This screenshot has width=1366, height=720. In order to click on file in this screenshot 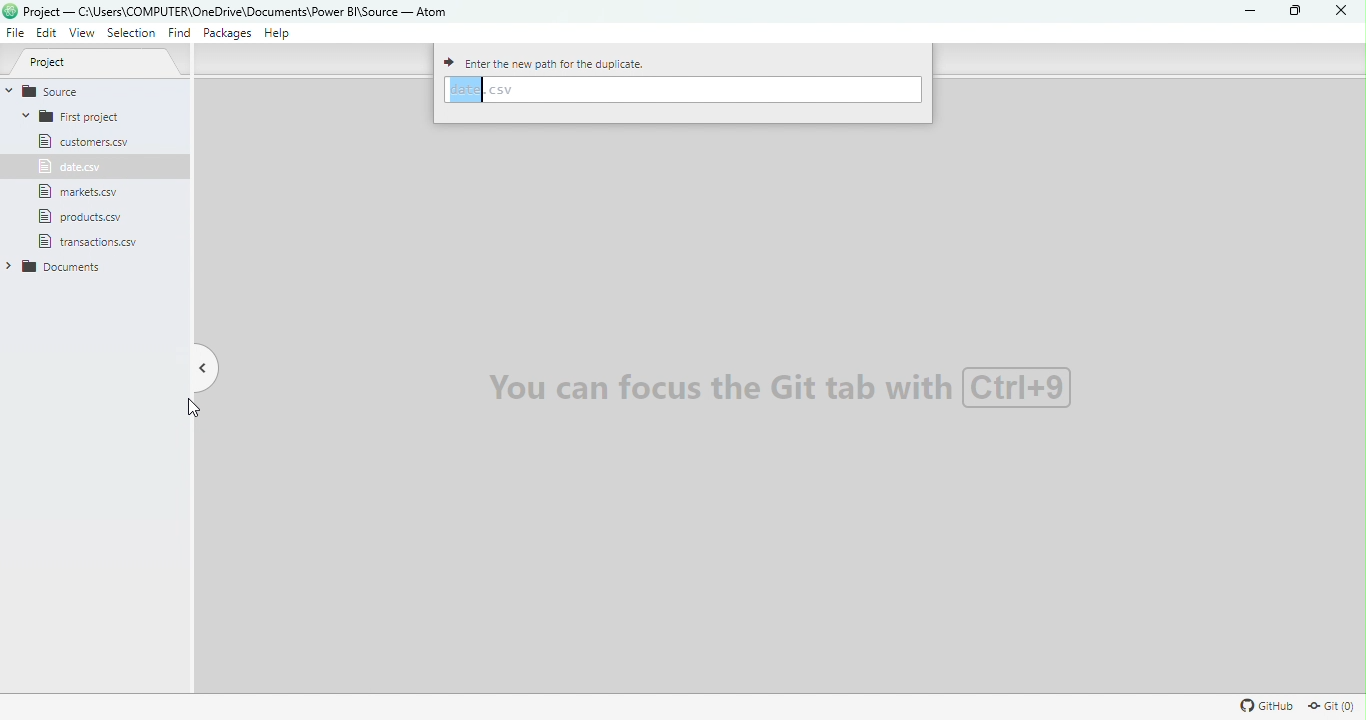, I will do `click(84, 240)`.